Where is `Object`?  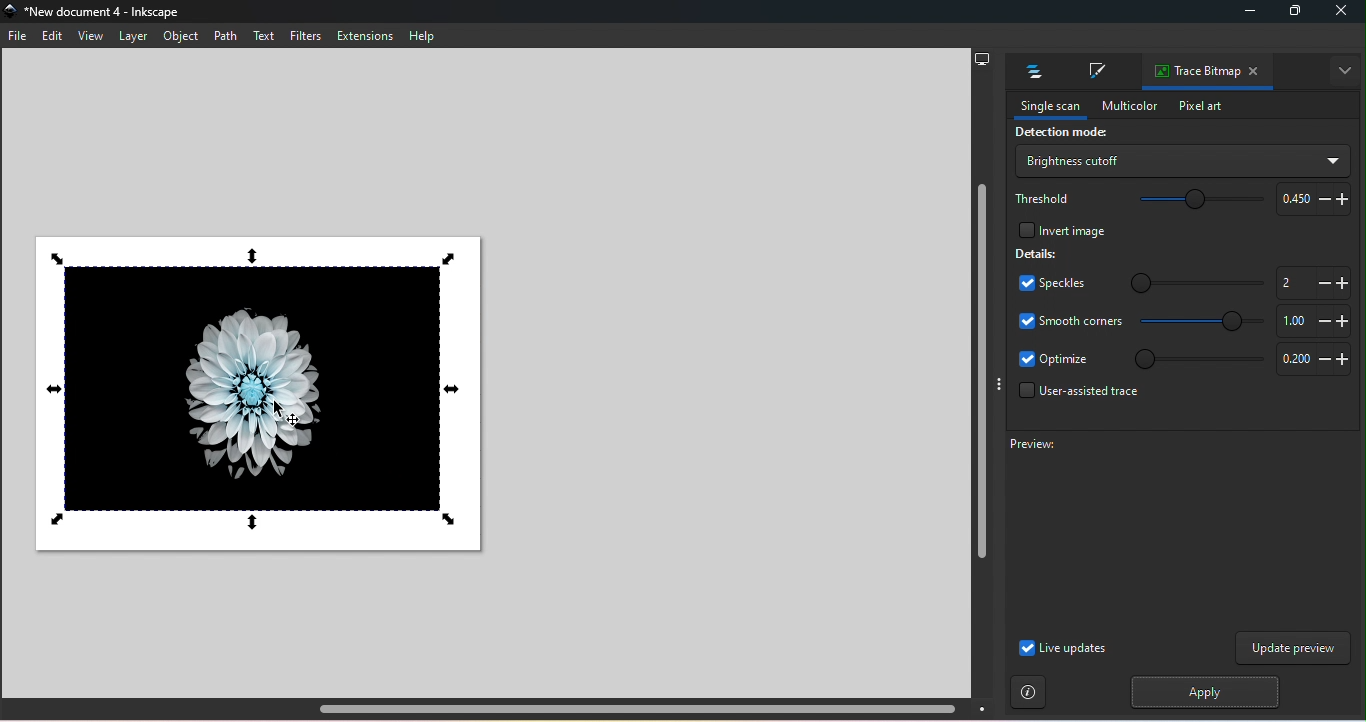 Object is located at coordinates (183, 38).